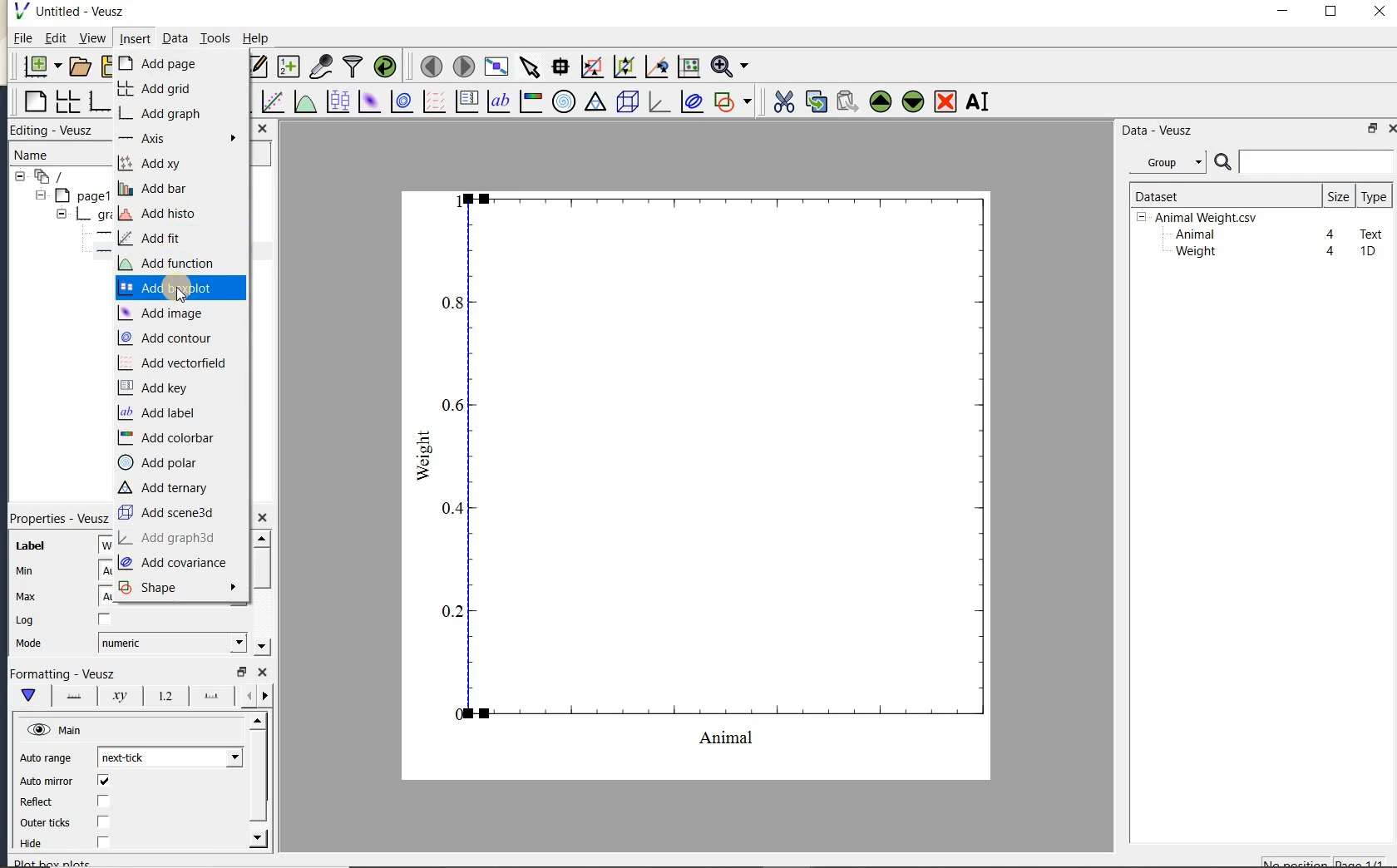  Describe the element at coordinates (168, 64) in the screenshot. I see `add page` at that location.